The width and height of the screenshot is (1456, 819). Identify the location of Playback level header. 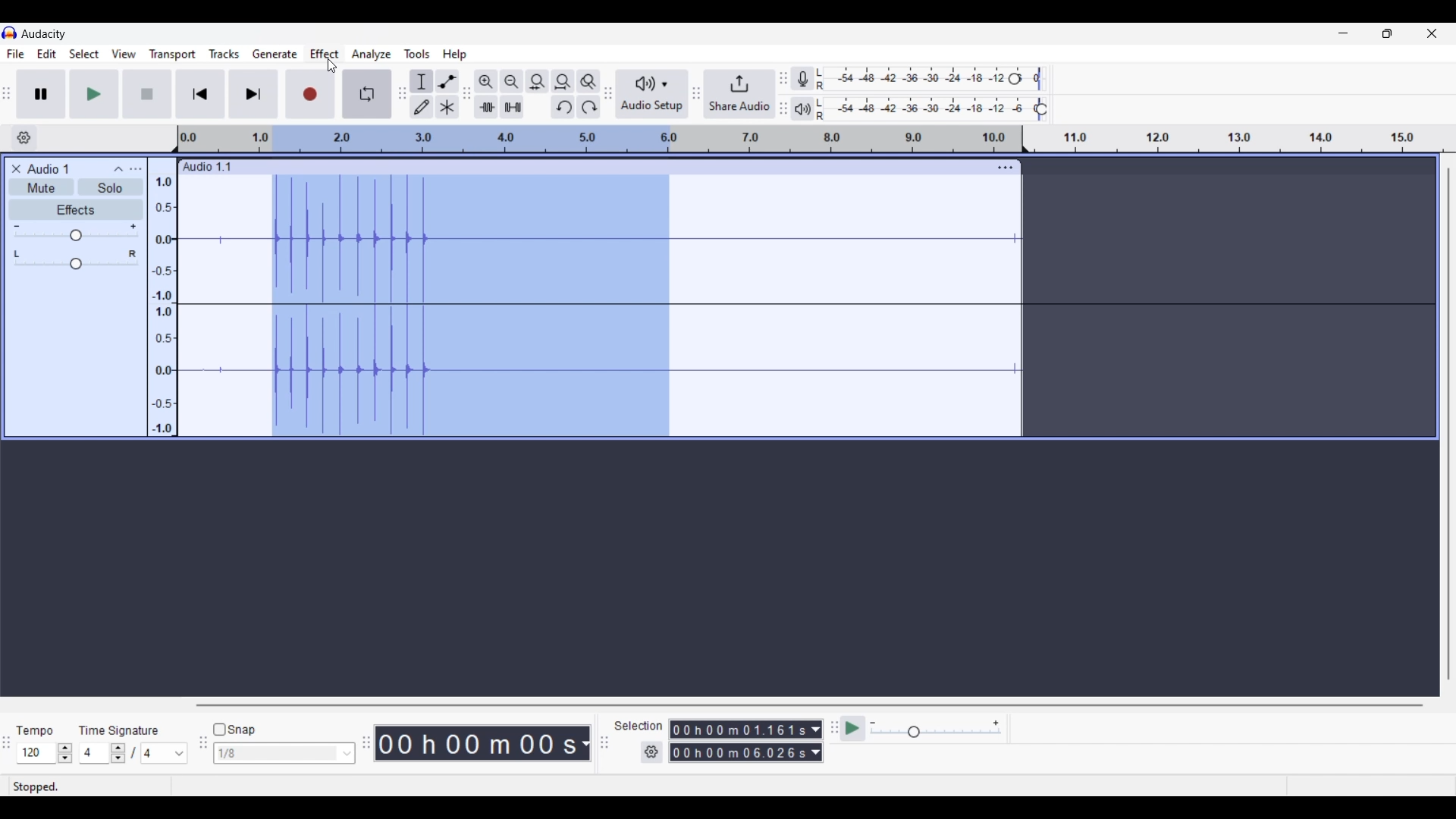
(1041, 109).